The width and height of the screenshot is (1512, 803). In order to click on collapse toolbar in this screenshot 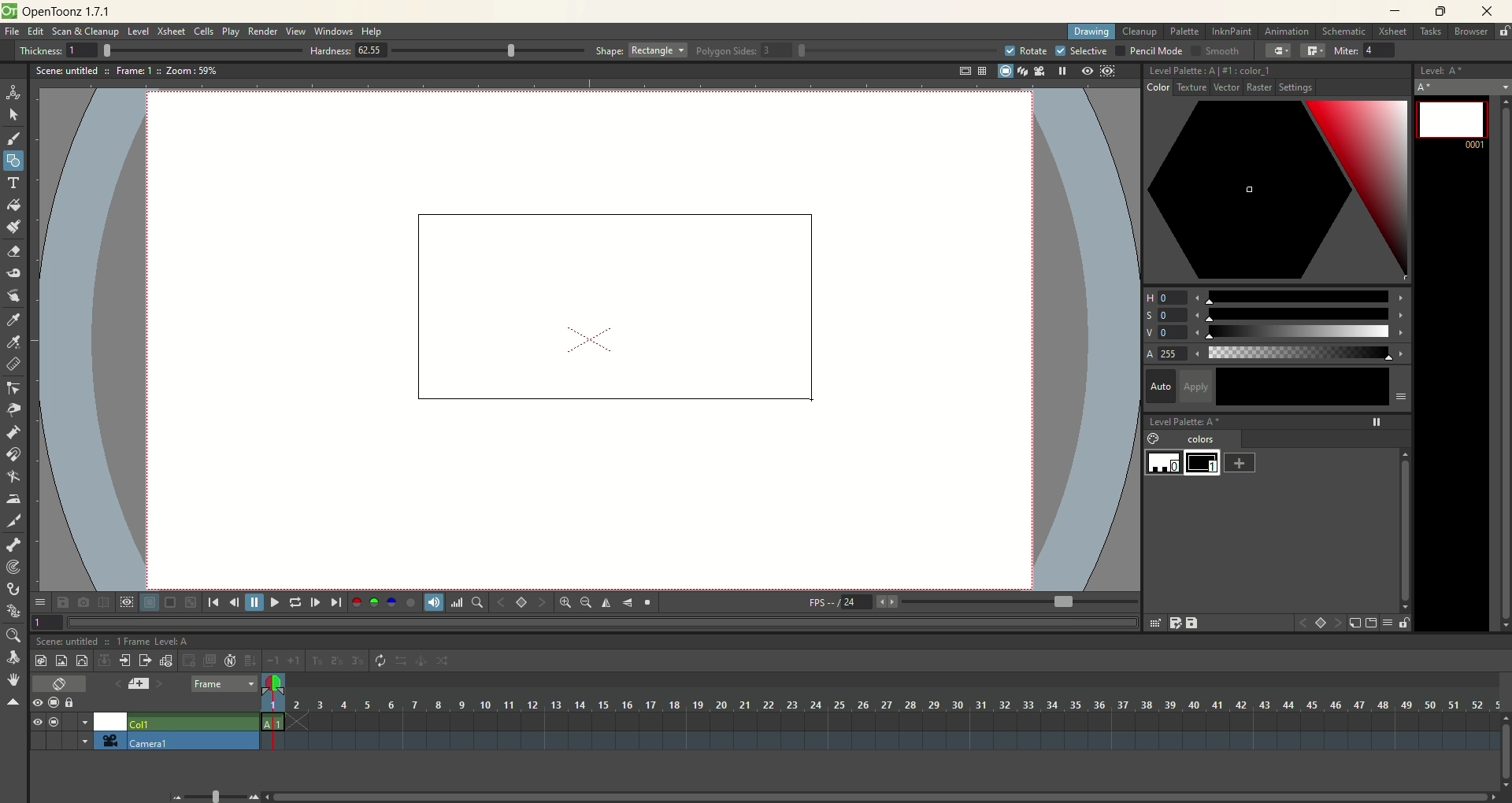, I will do `click(13, 703)`.